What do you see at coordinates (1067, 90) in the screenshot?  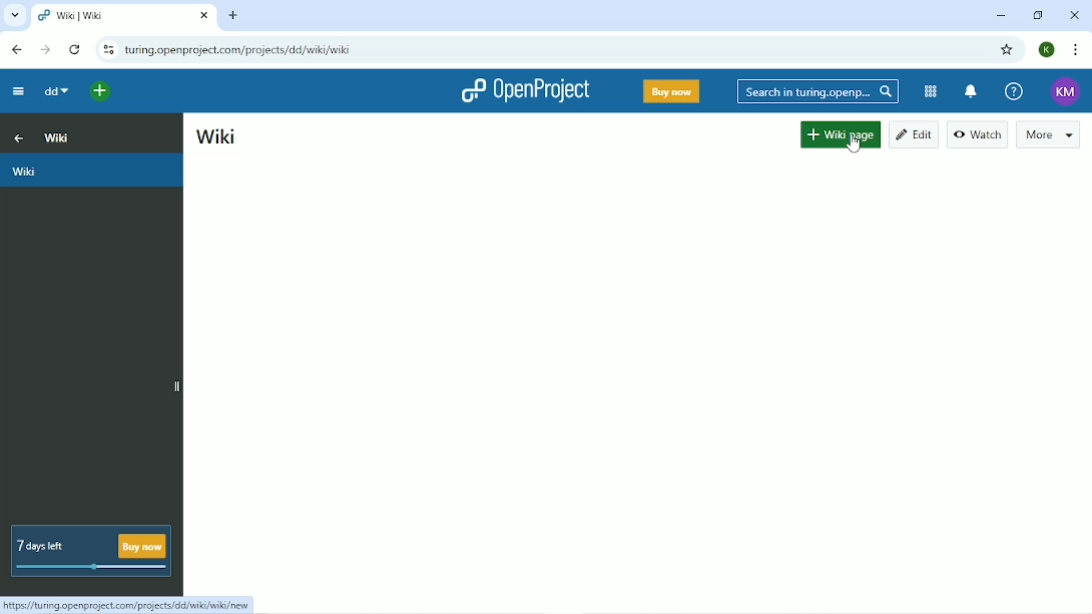 I see `Account` at bounding box center [1067, 90].